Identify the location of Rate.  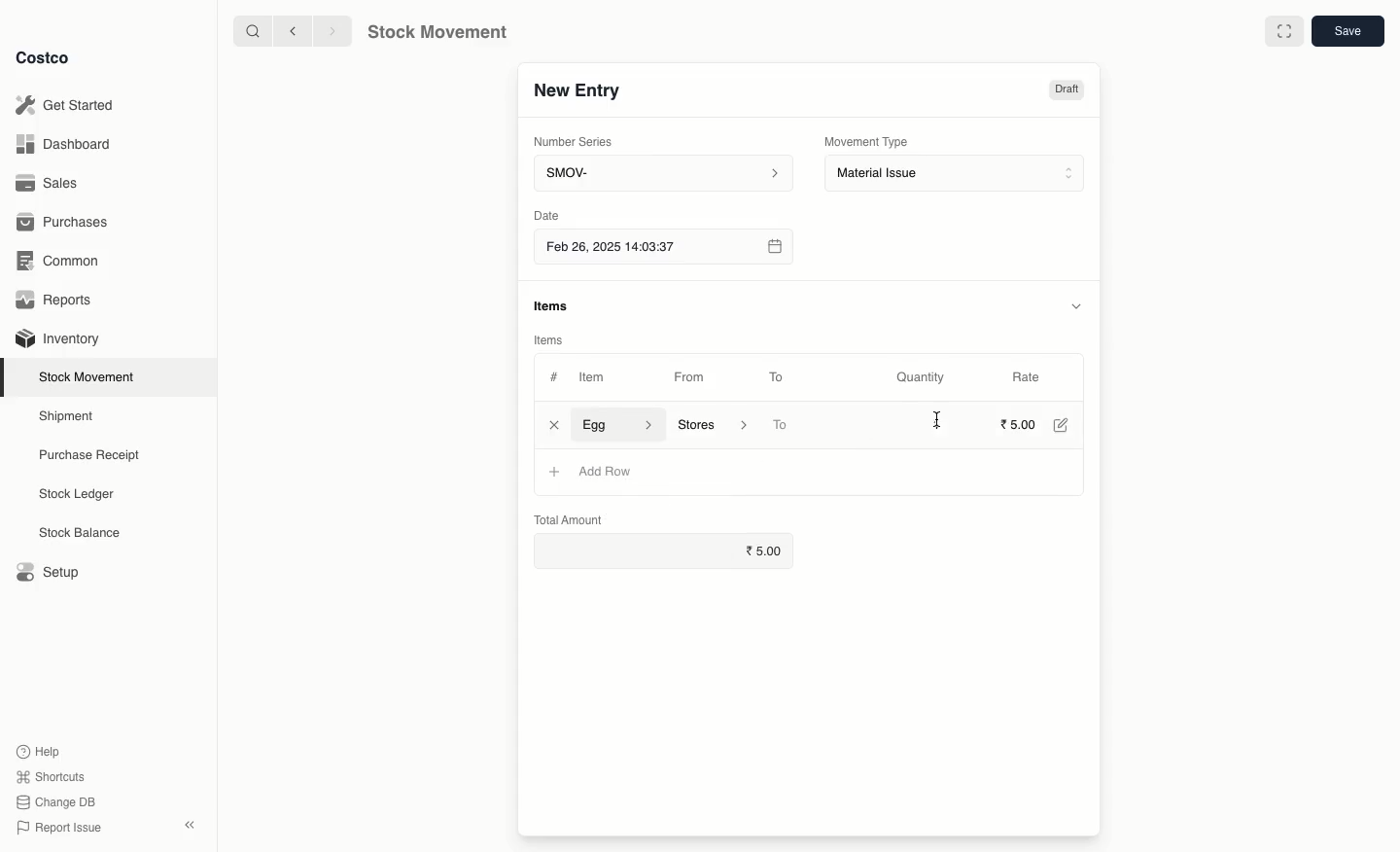
(1027, 374).